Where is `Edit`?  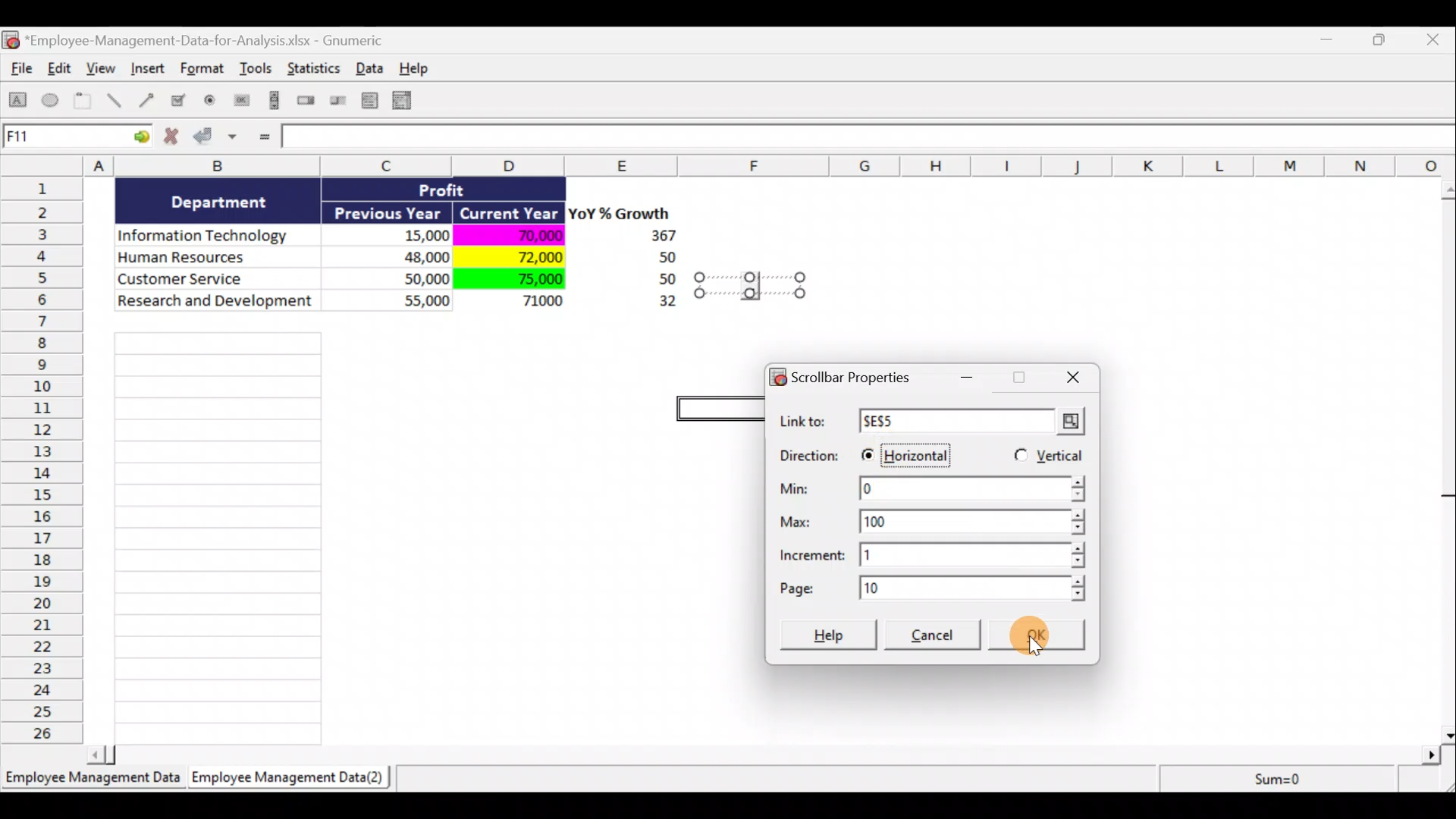 Edit is located at coordinates (61, 70).